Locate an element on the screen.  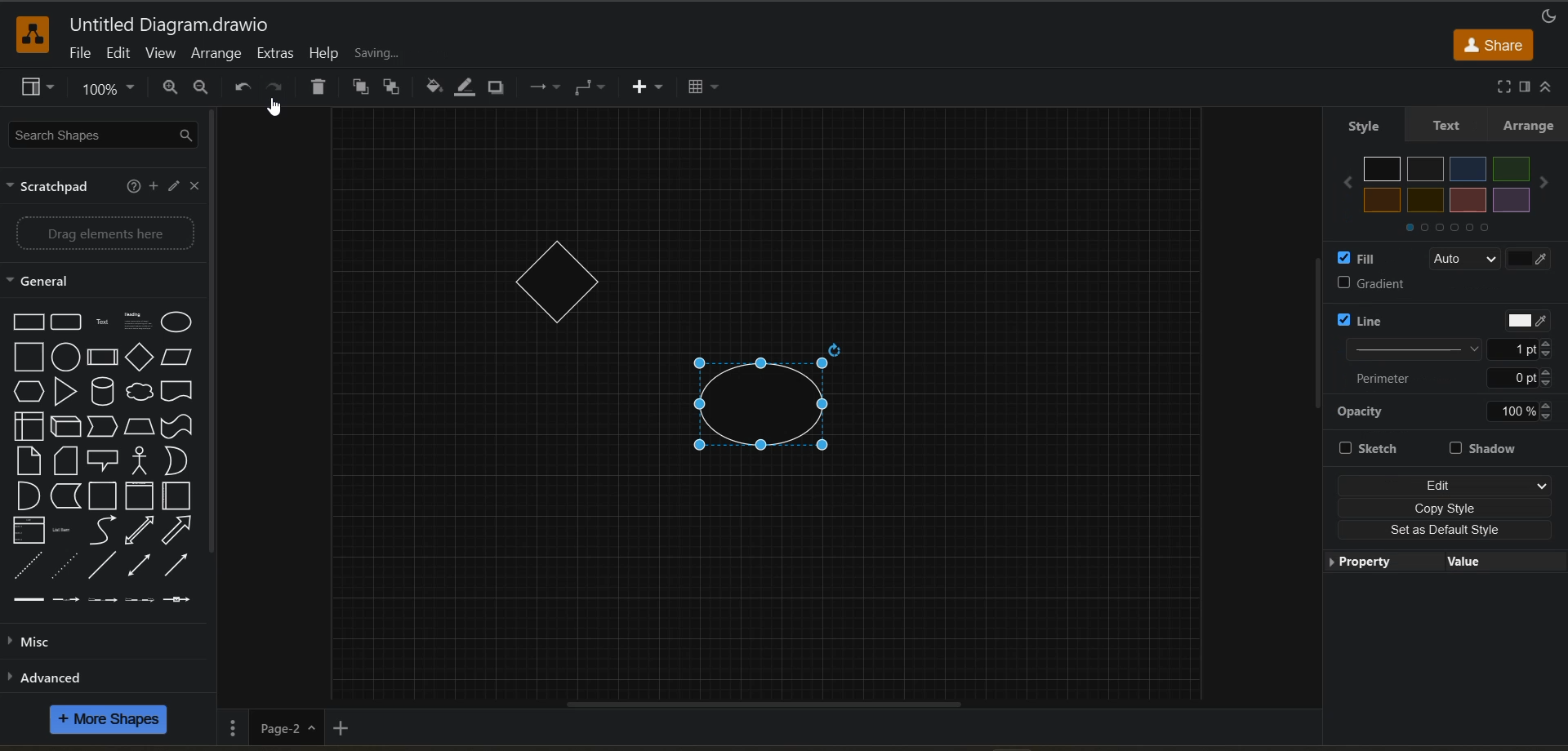
internal storage is located at coordinates (28, 425).